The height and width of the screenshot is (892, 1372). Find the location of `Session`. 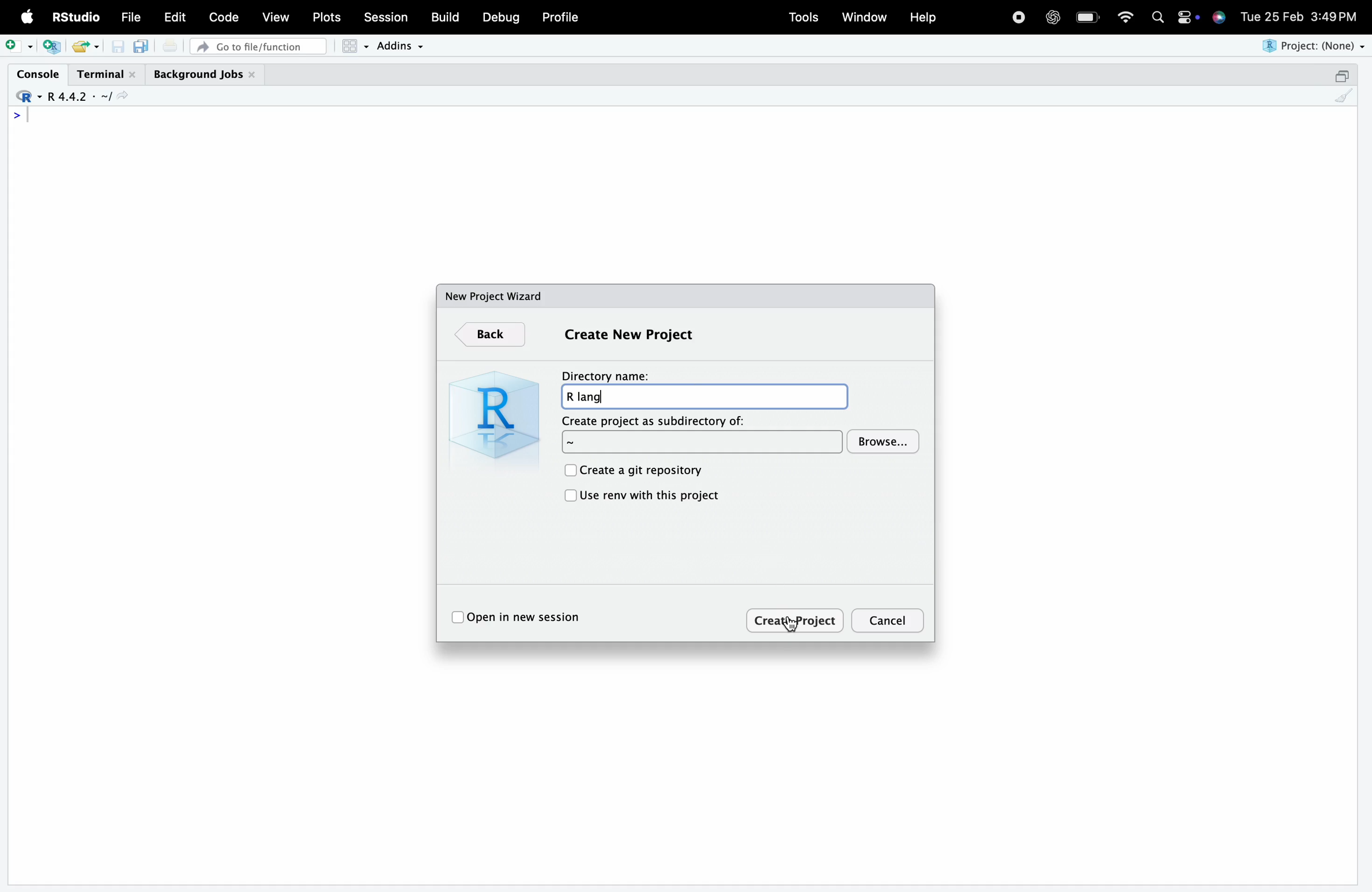

Session is located at coordinates (386, 16).